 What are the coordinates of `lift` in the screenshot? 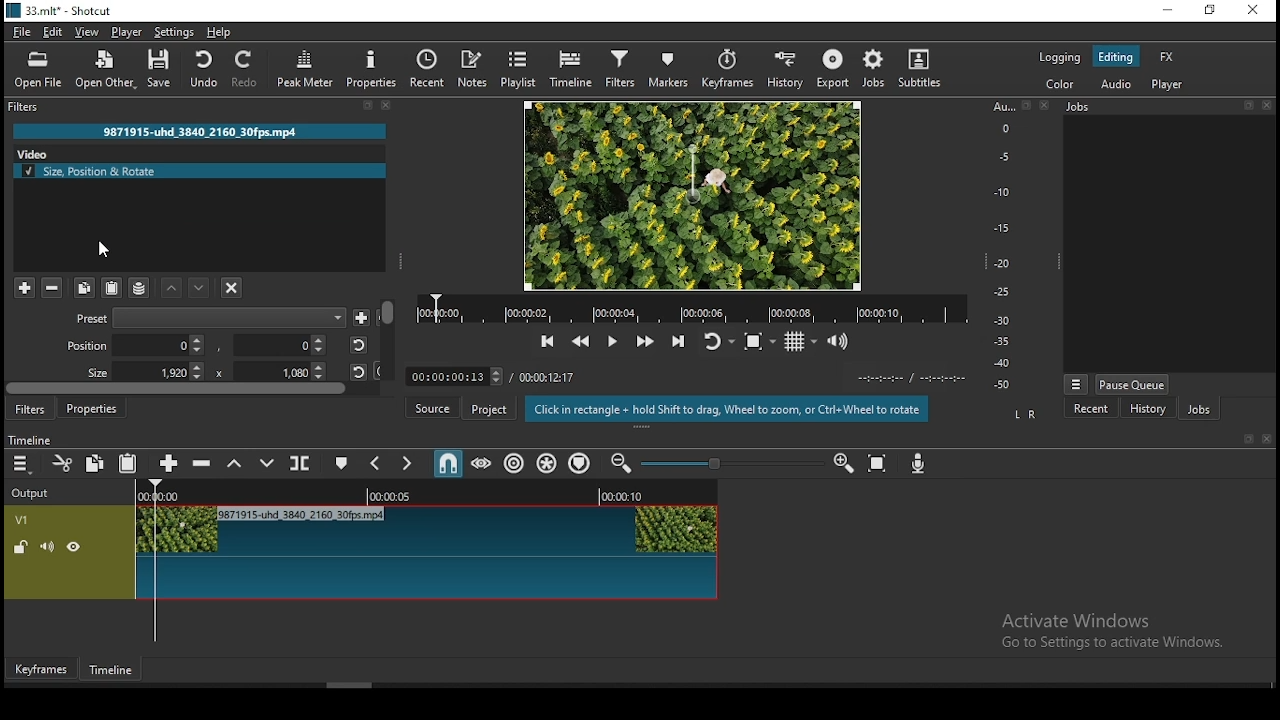 It's located at (235, 464).